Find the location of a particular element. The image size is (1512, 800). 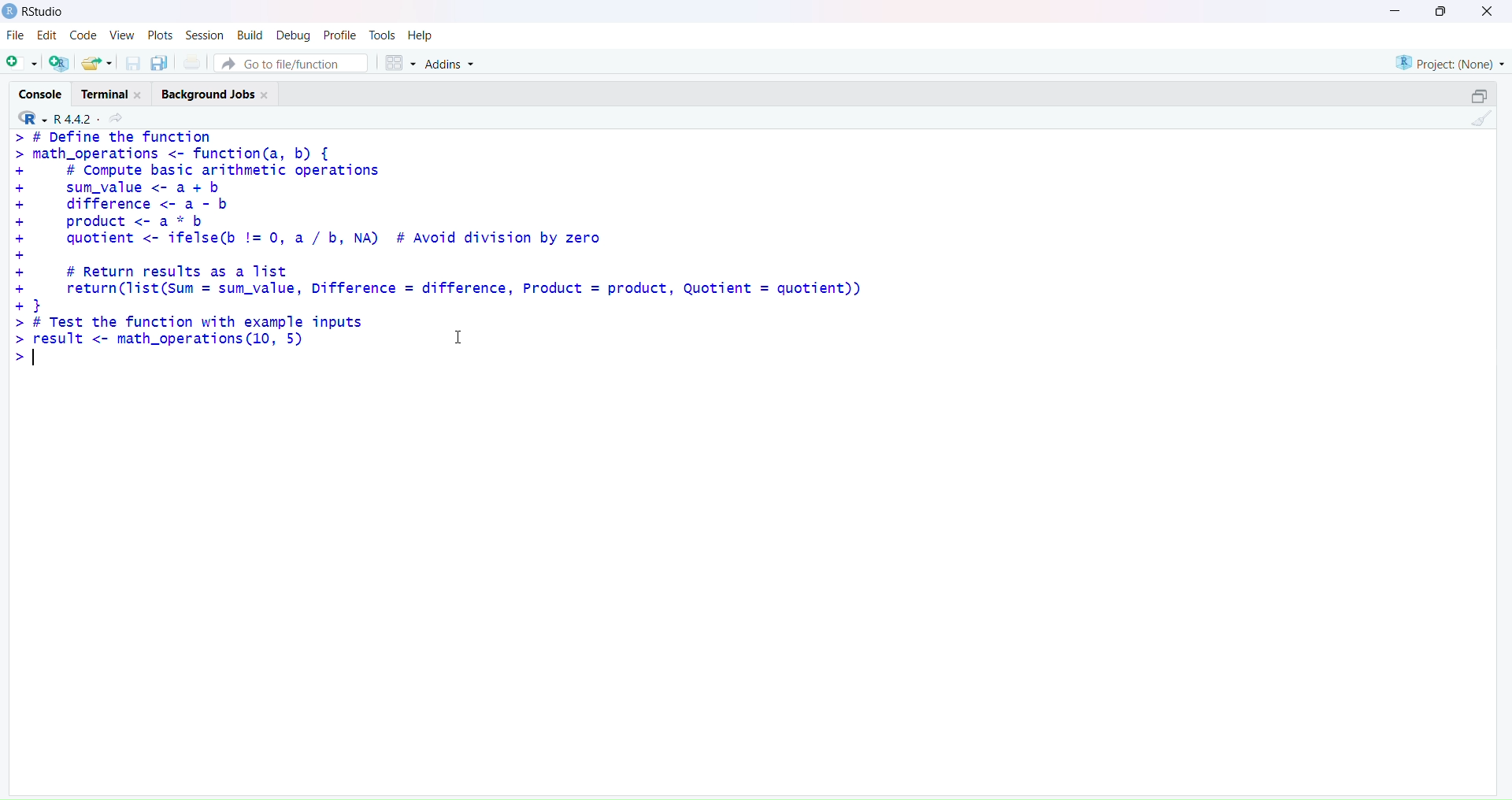

Debug is located at coordinates (291, 34).